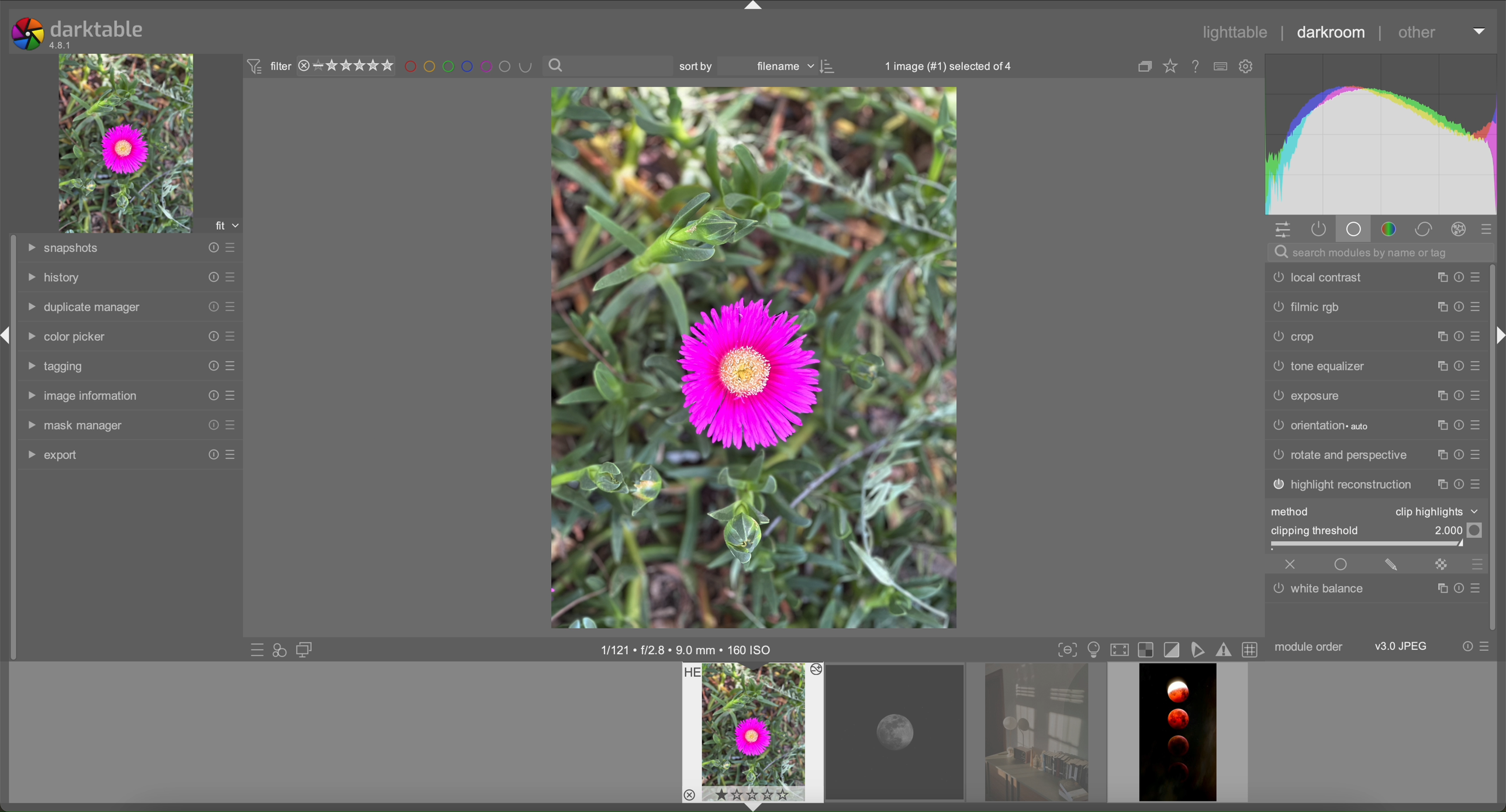  What do you see at coordinates (609, 66) in the screenshot?
I see `search bar` at bounding box center [609, 66].